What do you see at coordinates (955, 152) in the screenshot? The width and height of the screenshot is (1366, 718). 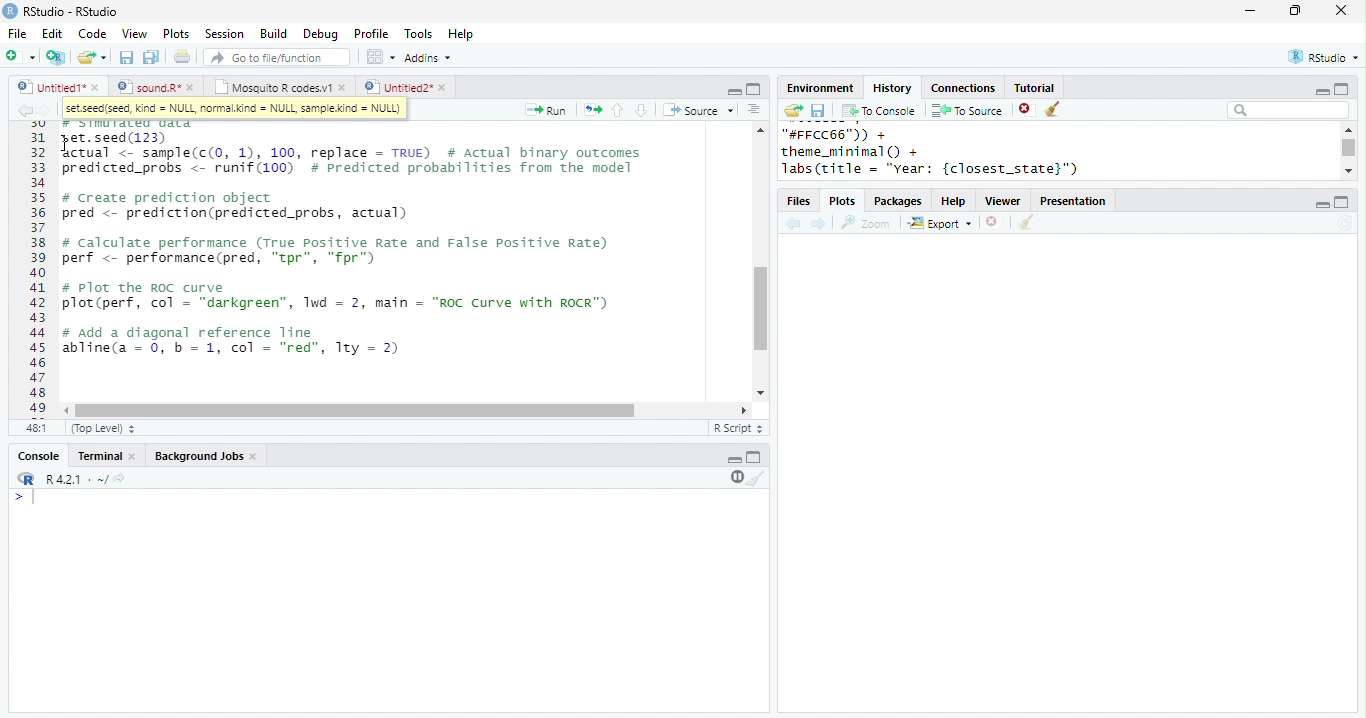 I see `"#FFCC66")) +theme_minimal() +labs(title = "year: {closest_state}")` at bounding box center [955, 152].